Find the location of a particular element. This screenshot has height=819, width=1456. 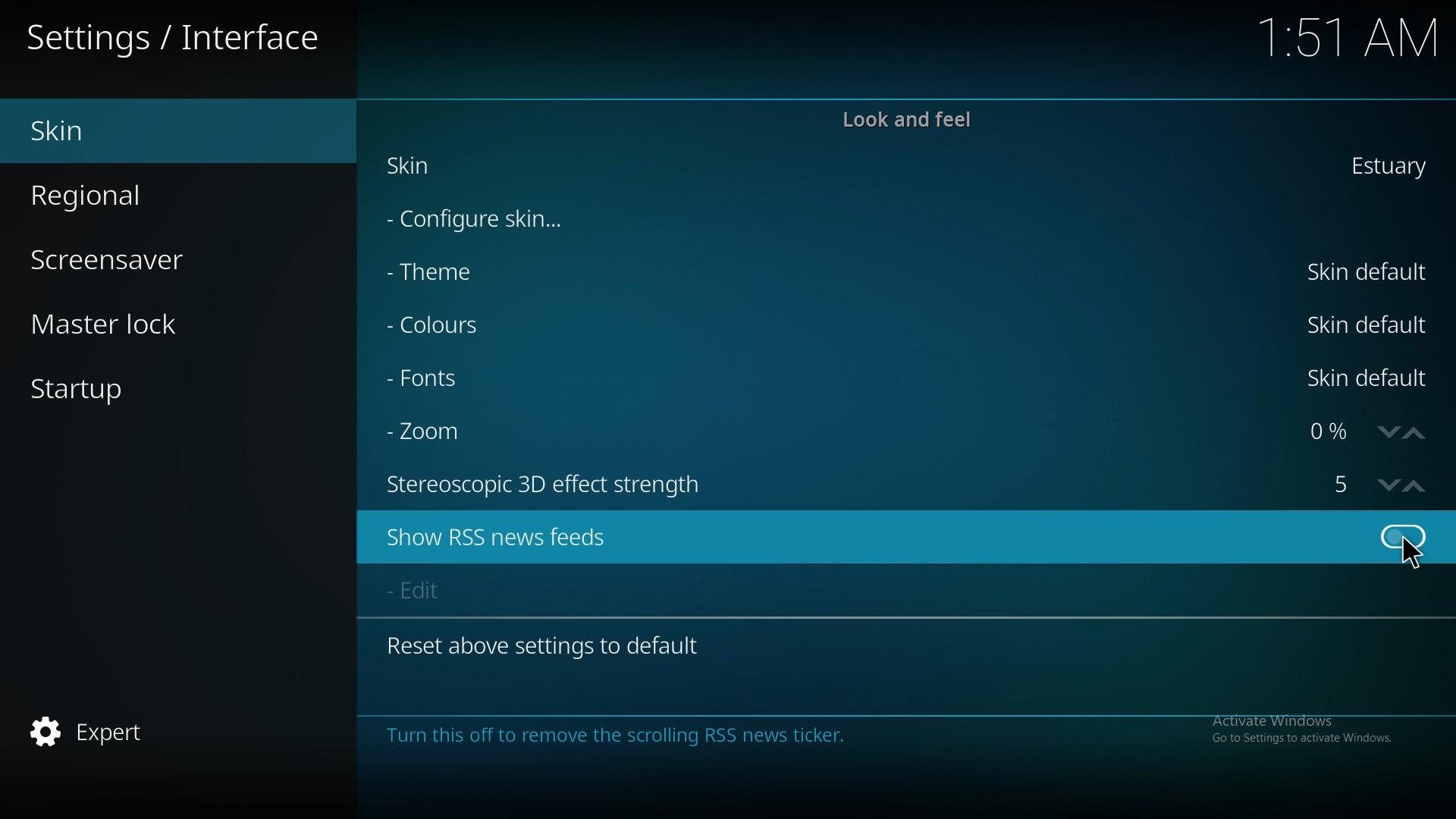

skin is located at coordinates (111, 131).